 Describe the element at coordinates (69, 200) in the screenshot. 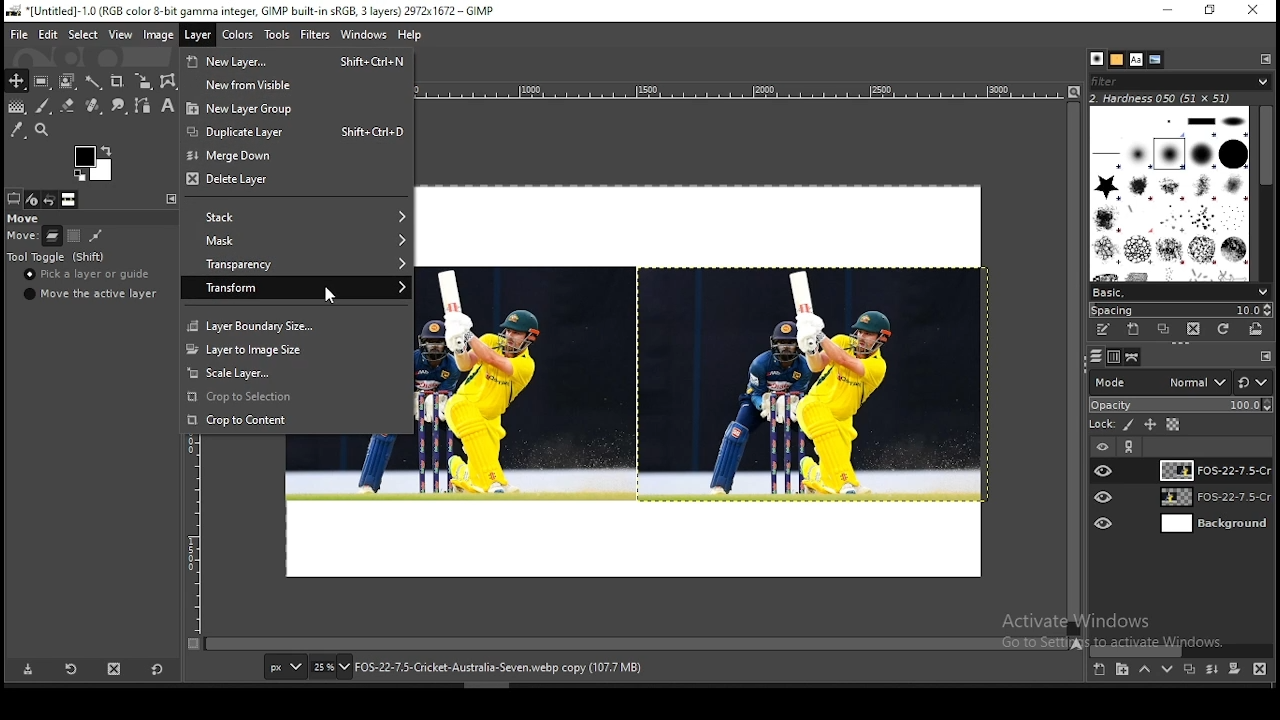

I see `images` at that location.